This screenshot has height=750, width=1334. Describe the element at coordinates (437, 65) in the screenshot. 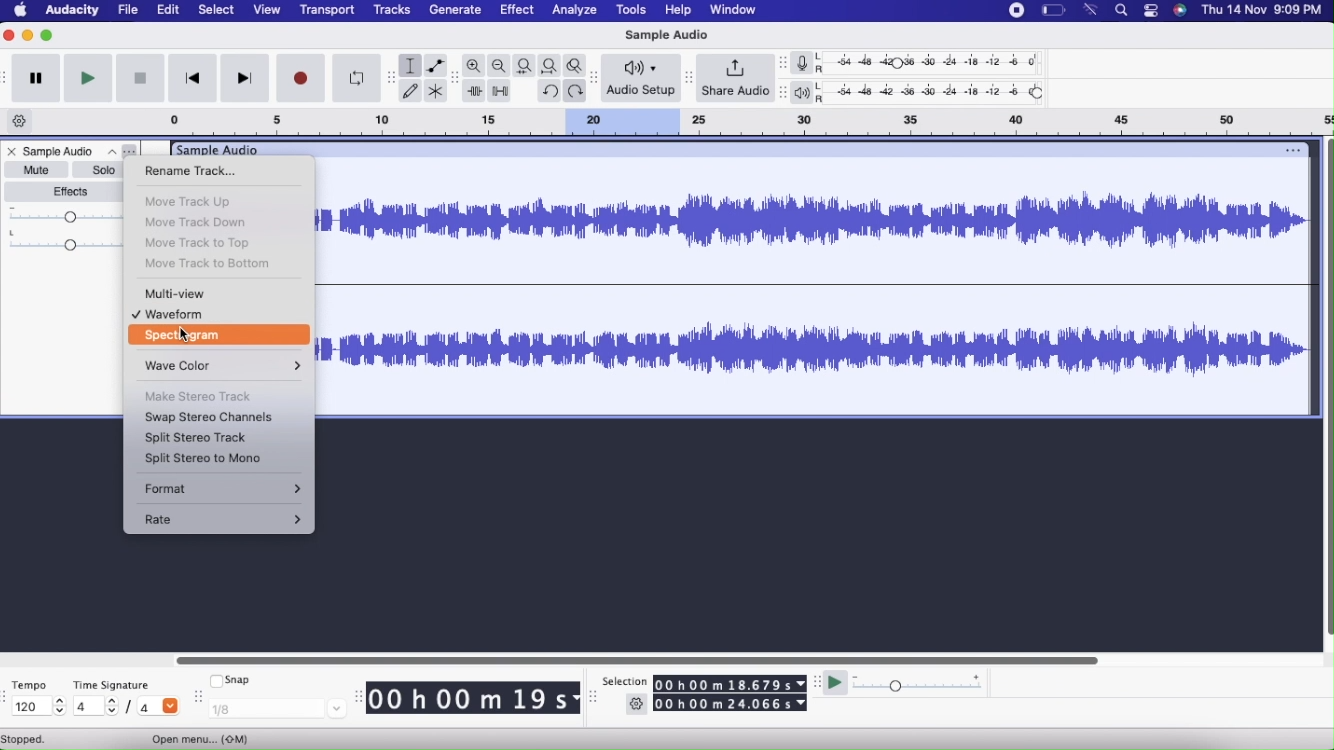

I see `Envelope tool` at that location.